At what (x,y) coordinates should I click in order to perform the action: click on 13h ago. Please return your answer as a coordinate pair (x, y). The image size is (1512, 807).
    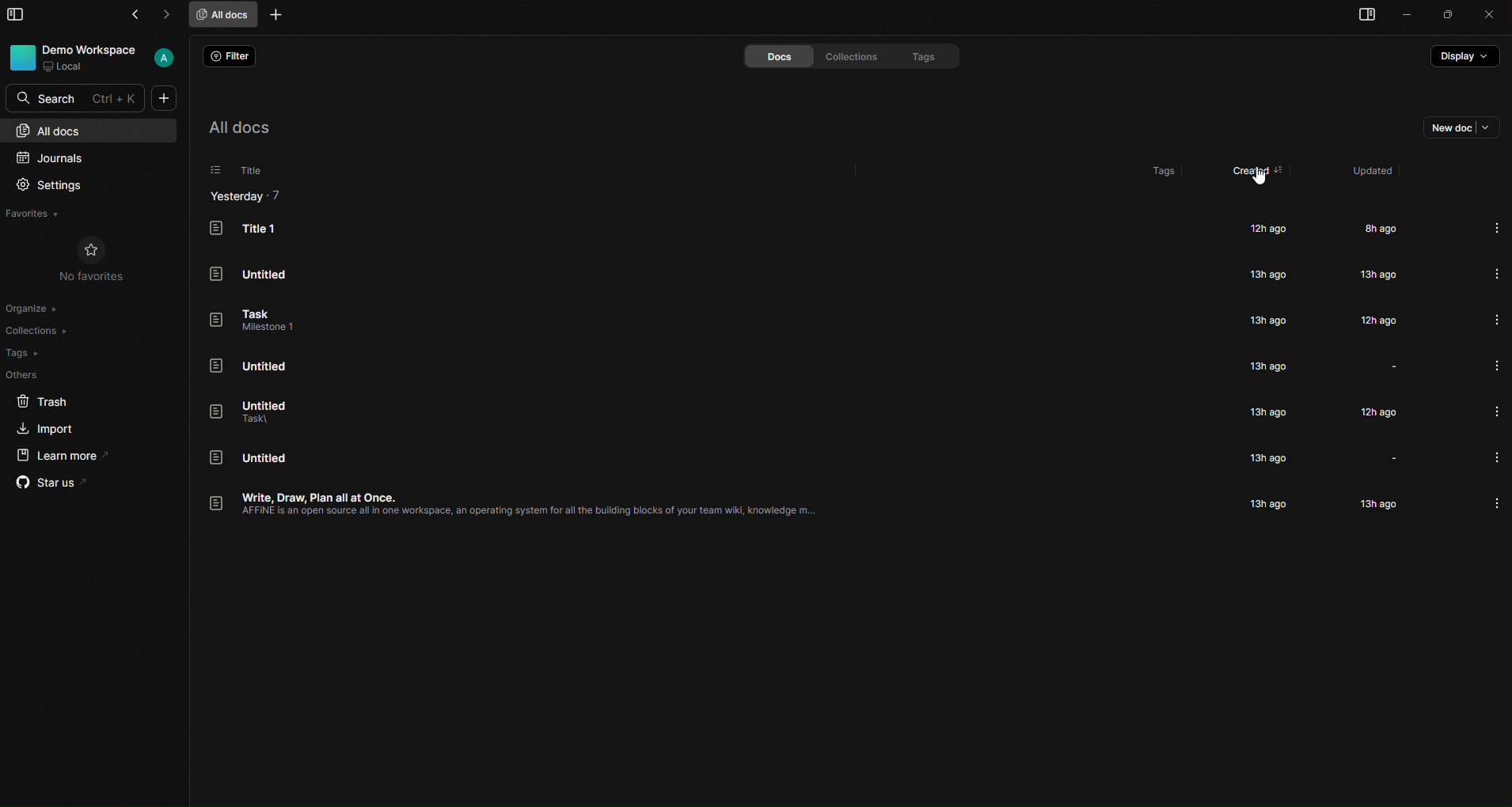
    Looking at the image, I should click on (1375, 504).